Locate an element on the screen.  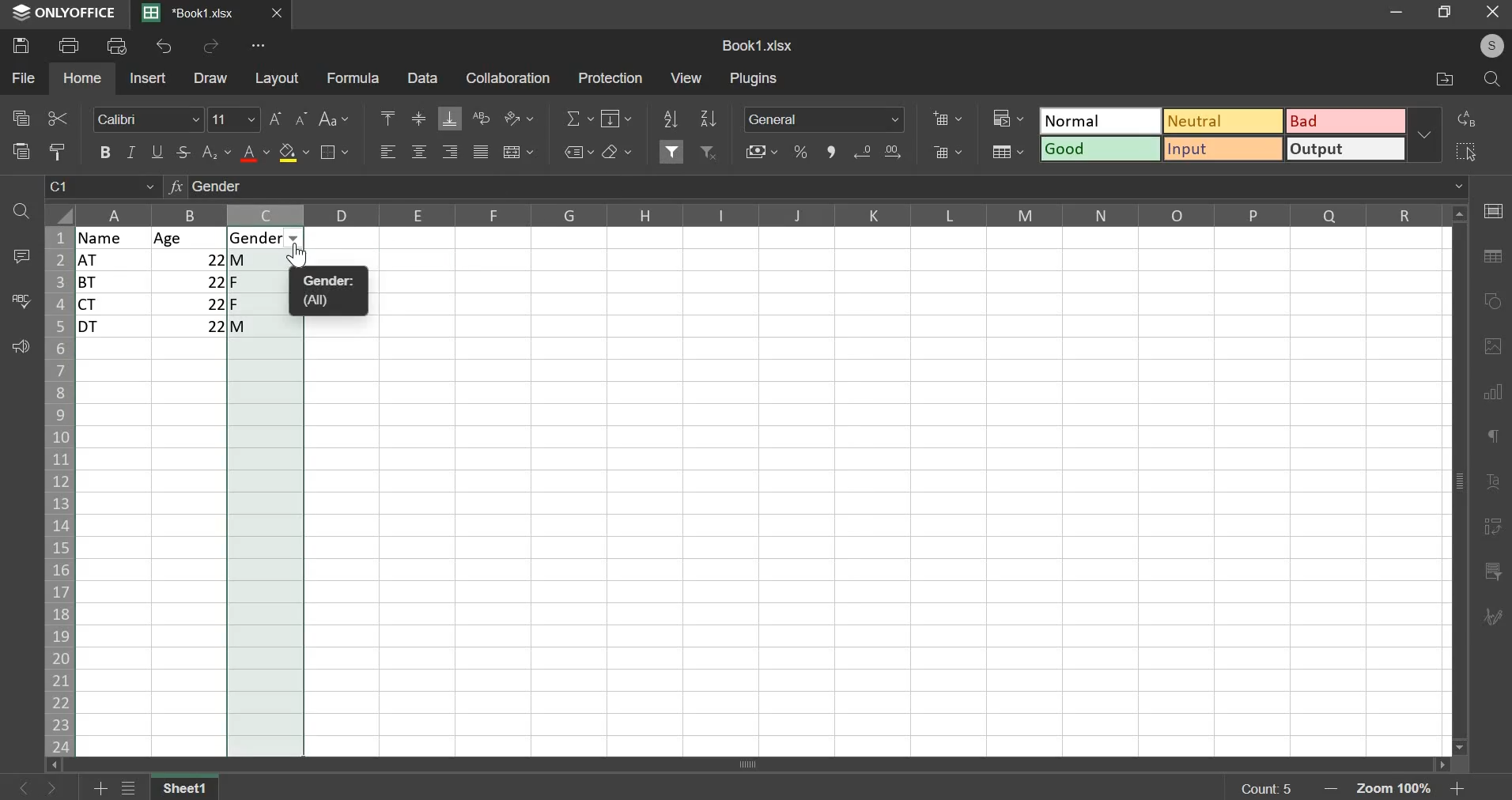
more is located at coordinates (1428, 134).